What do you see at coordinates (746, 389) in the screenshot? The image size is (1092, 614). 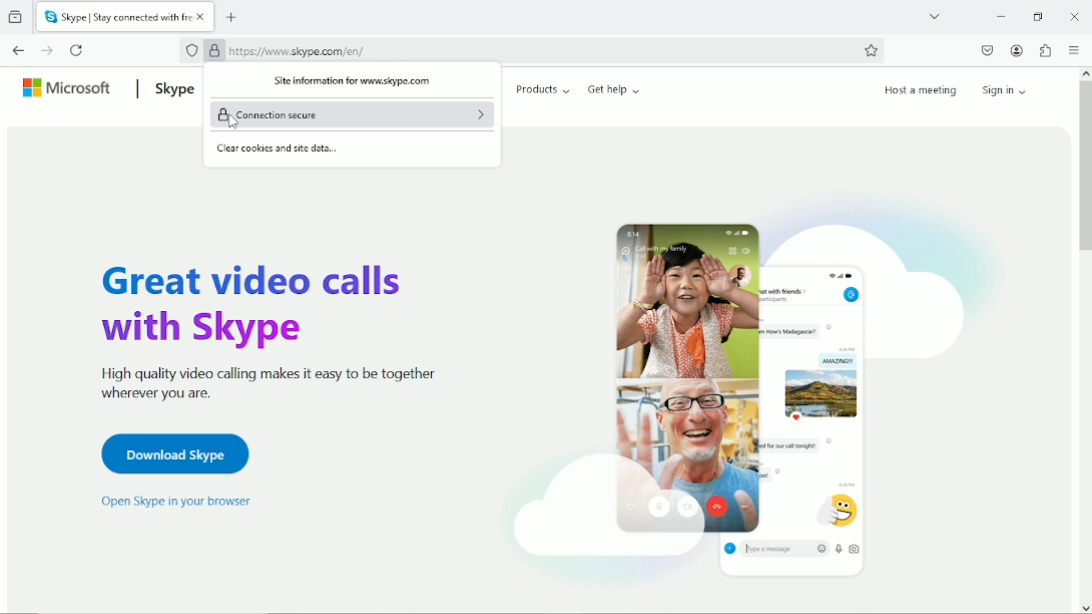 I see `videocall/chat` at bounding box center [746, 389].